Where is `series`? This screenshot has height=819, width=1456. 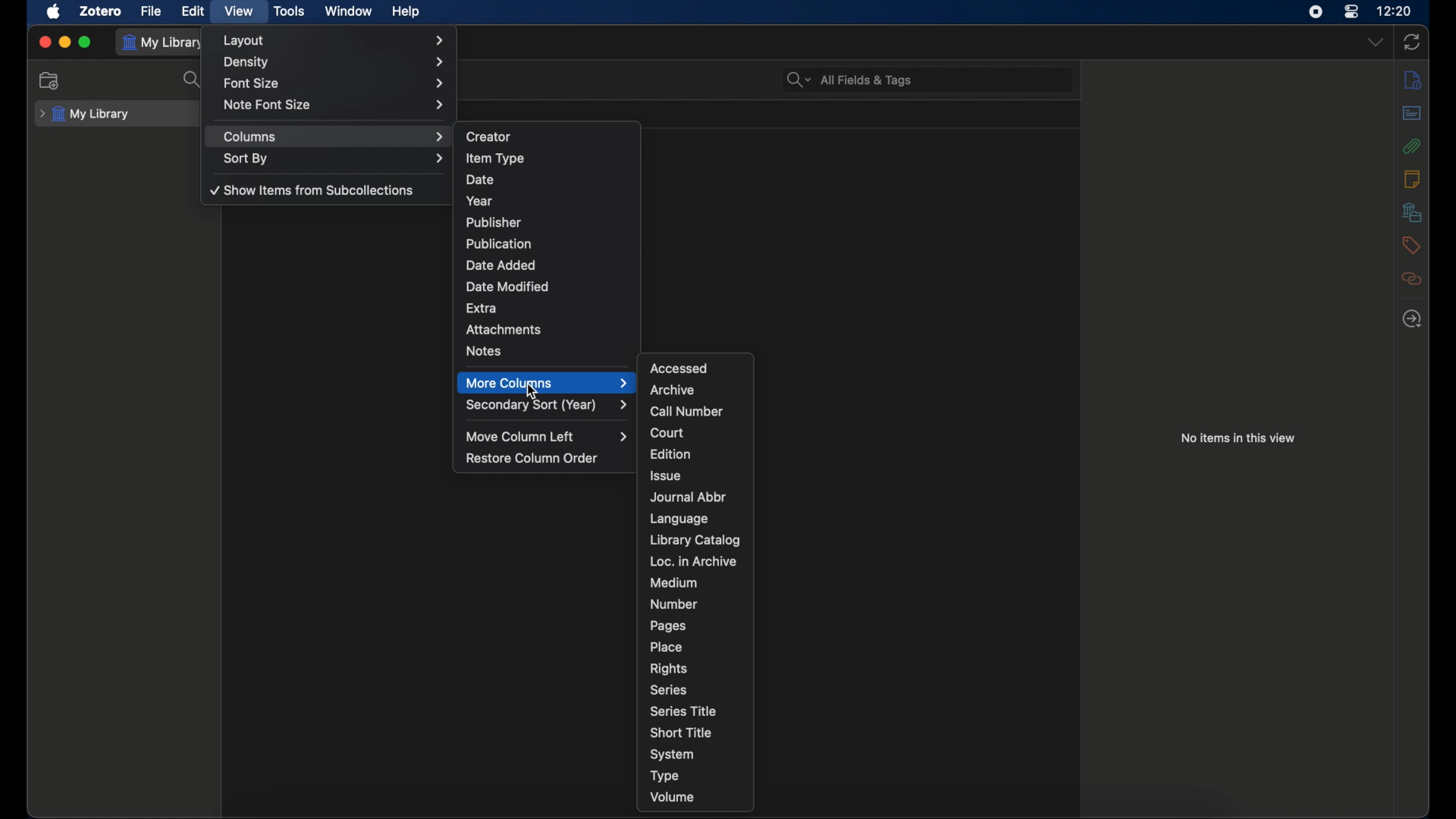 series is located at coordinates (668, 690).